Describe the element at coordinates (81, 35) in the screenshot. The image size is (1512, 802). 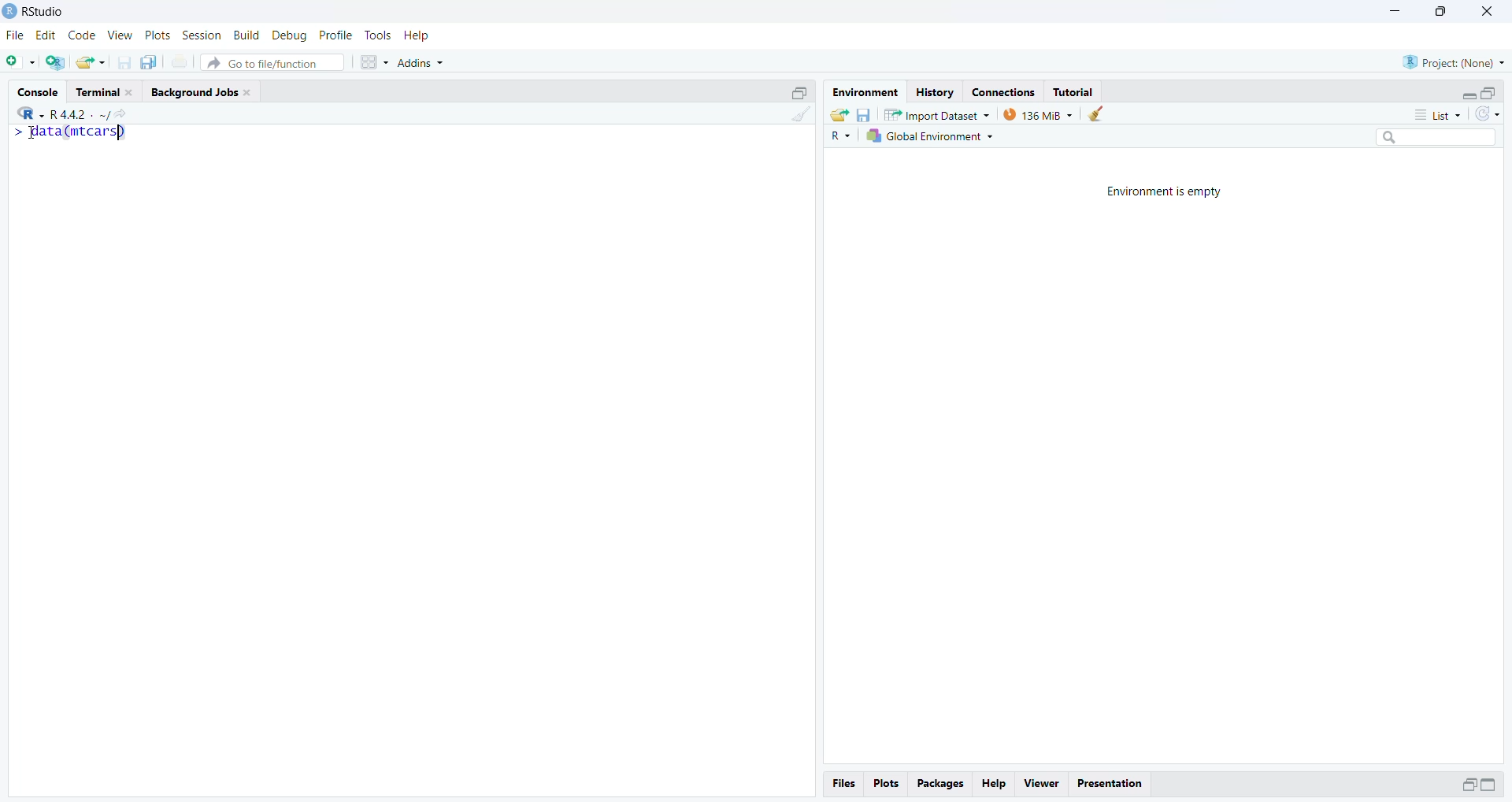
I see `Code` at that location.